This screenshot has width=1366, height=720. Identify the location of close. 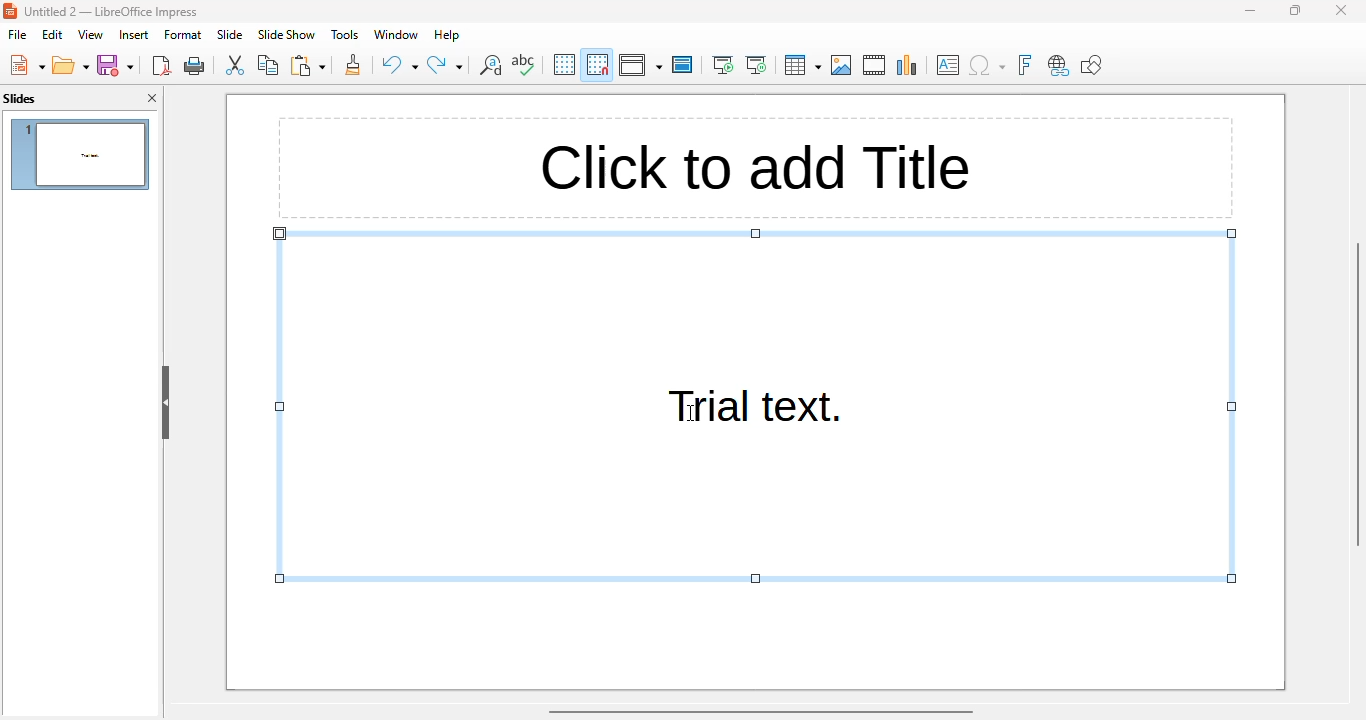
(1340, 10).